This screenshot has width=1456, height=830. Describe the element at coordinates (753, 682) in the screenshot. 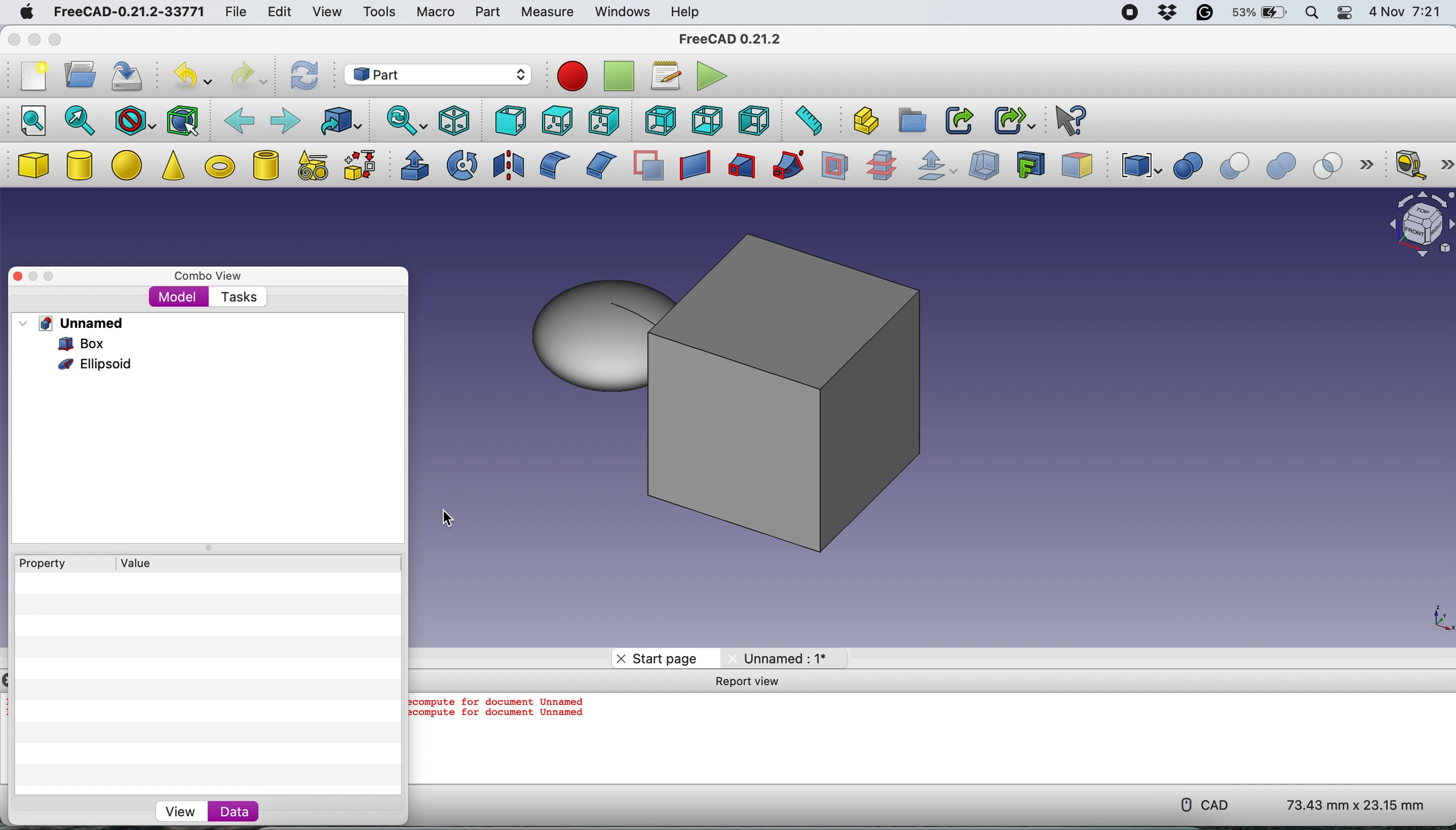

I see `Report View` at that location.